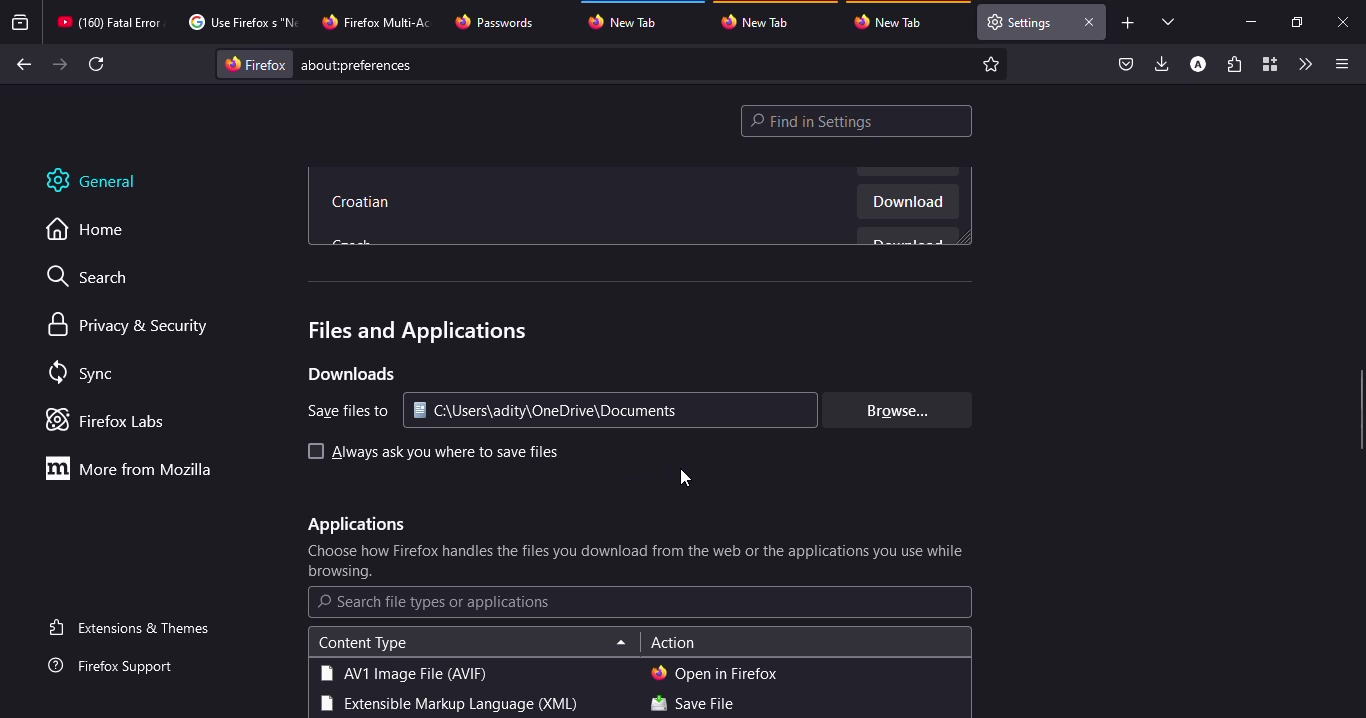  What do you see at coordinates (414, 331) in the screenshot?
I see `files & applications` at bounding box center [414, 331].